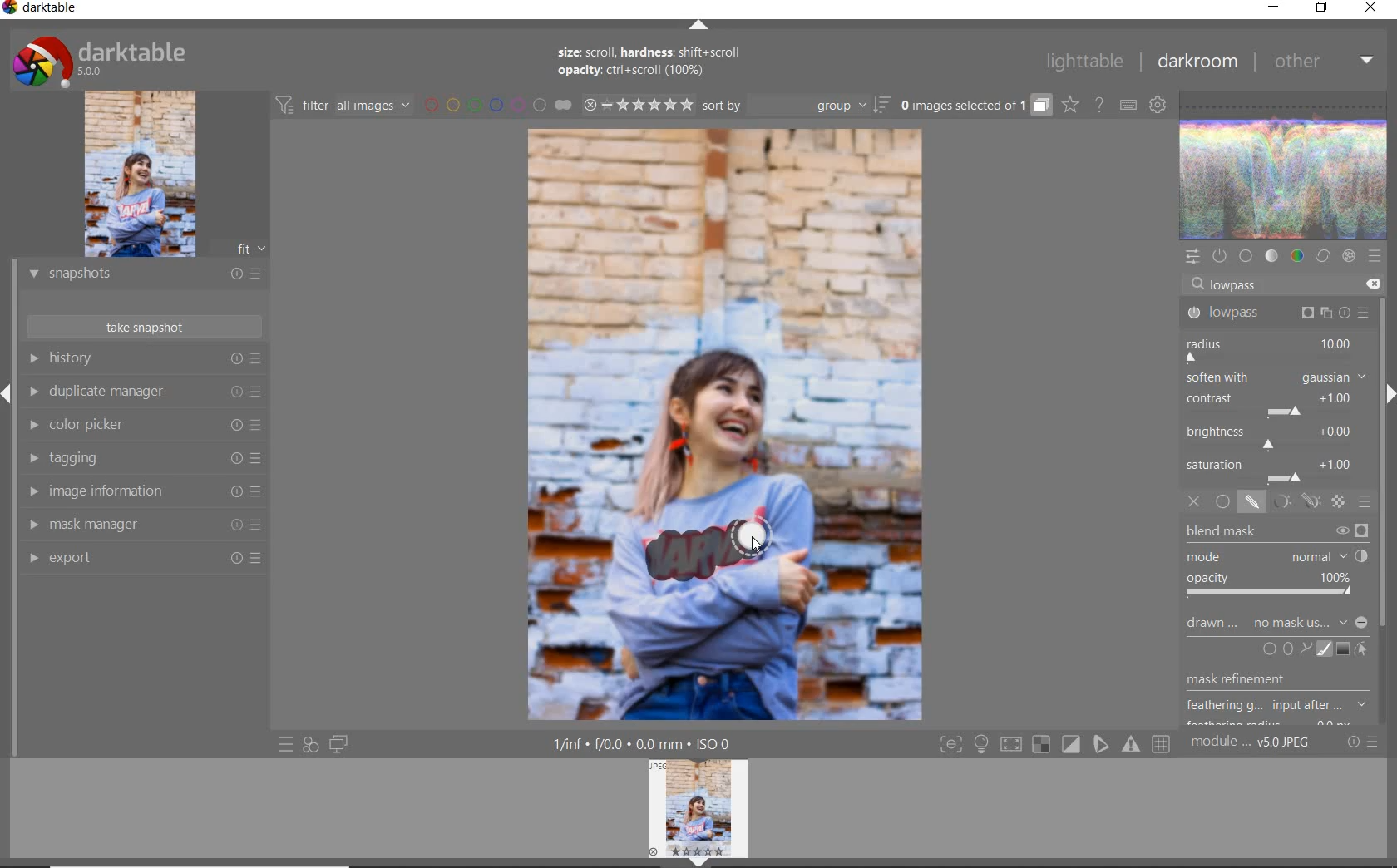  Describe the element at coordinates (1253, 743) in the screenshot. I see `module..v50JPEG` at that location.